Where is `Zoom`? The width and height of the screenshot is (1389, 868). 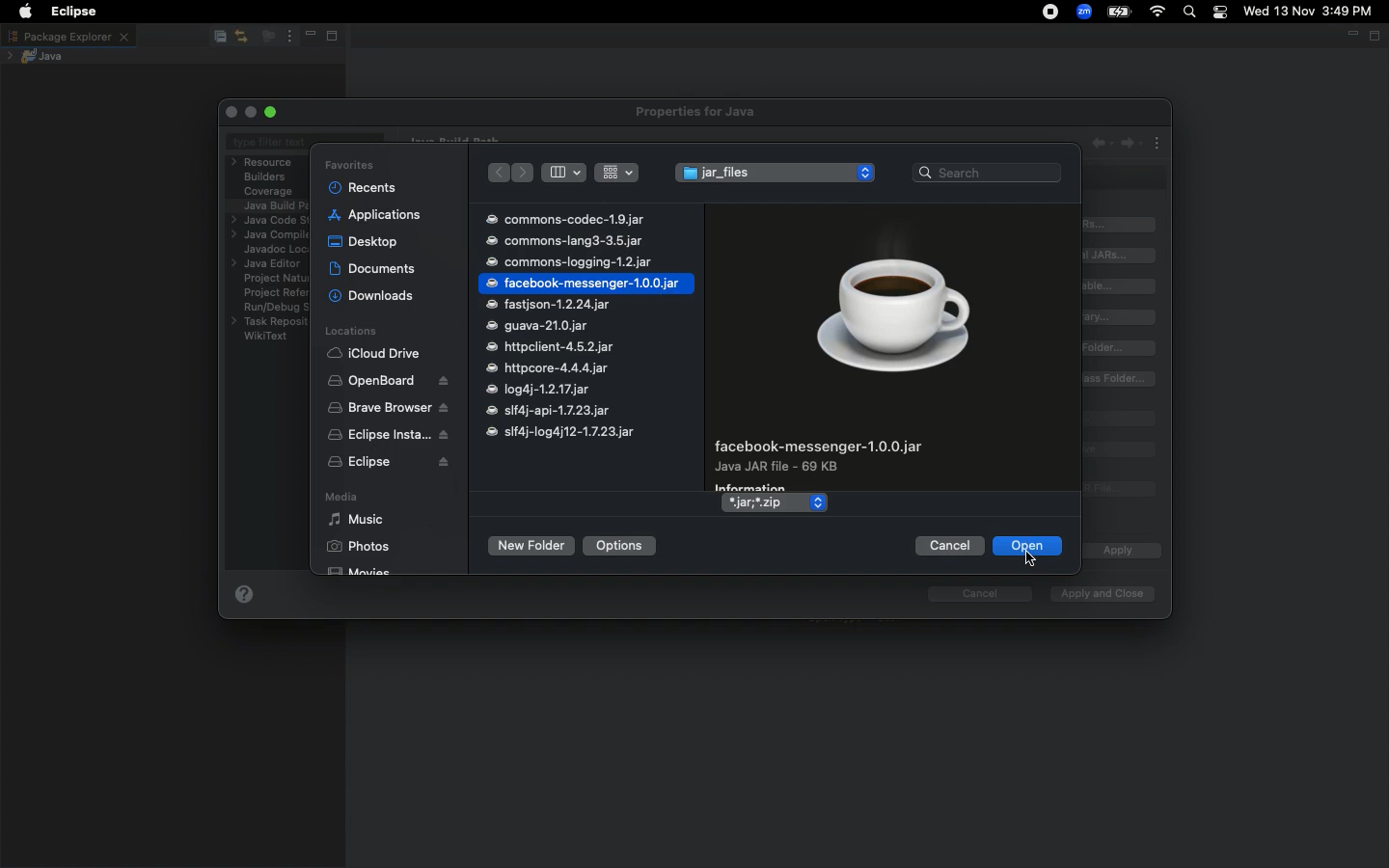
Zoom is located at coordinates (1085, 12).